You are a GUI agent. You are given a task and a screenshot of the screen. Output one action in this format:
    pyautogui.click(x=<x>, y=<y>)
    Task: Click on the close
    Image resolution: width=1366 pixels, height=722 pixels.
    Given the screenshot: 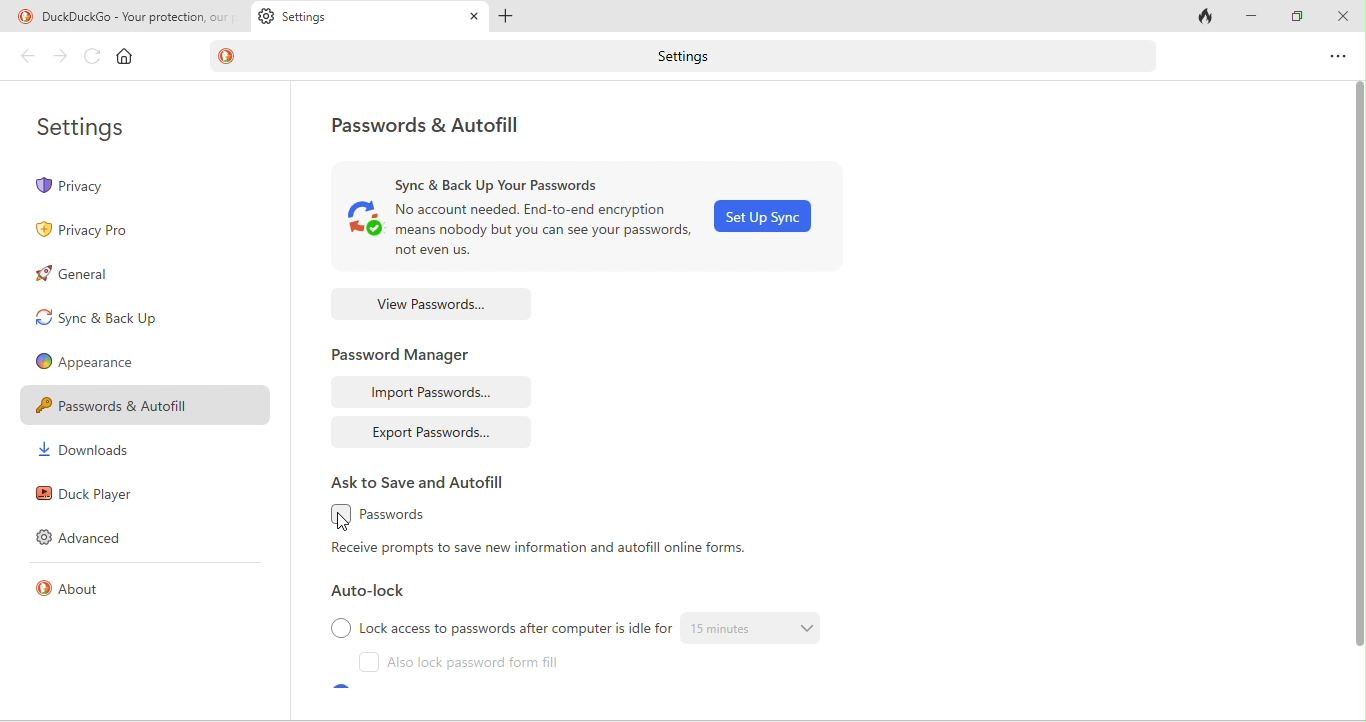 What is the action you would take?
    pyautogui.click(x=1342, y=15)
    